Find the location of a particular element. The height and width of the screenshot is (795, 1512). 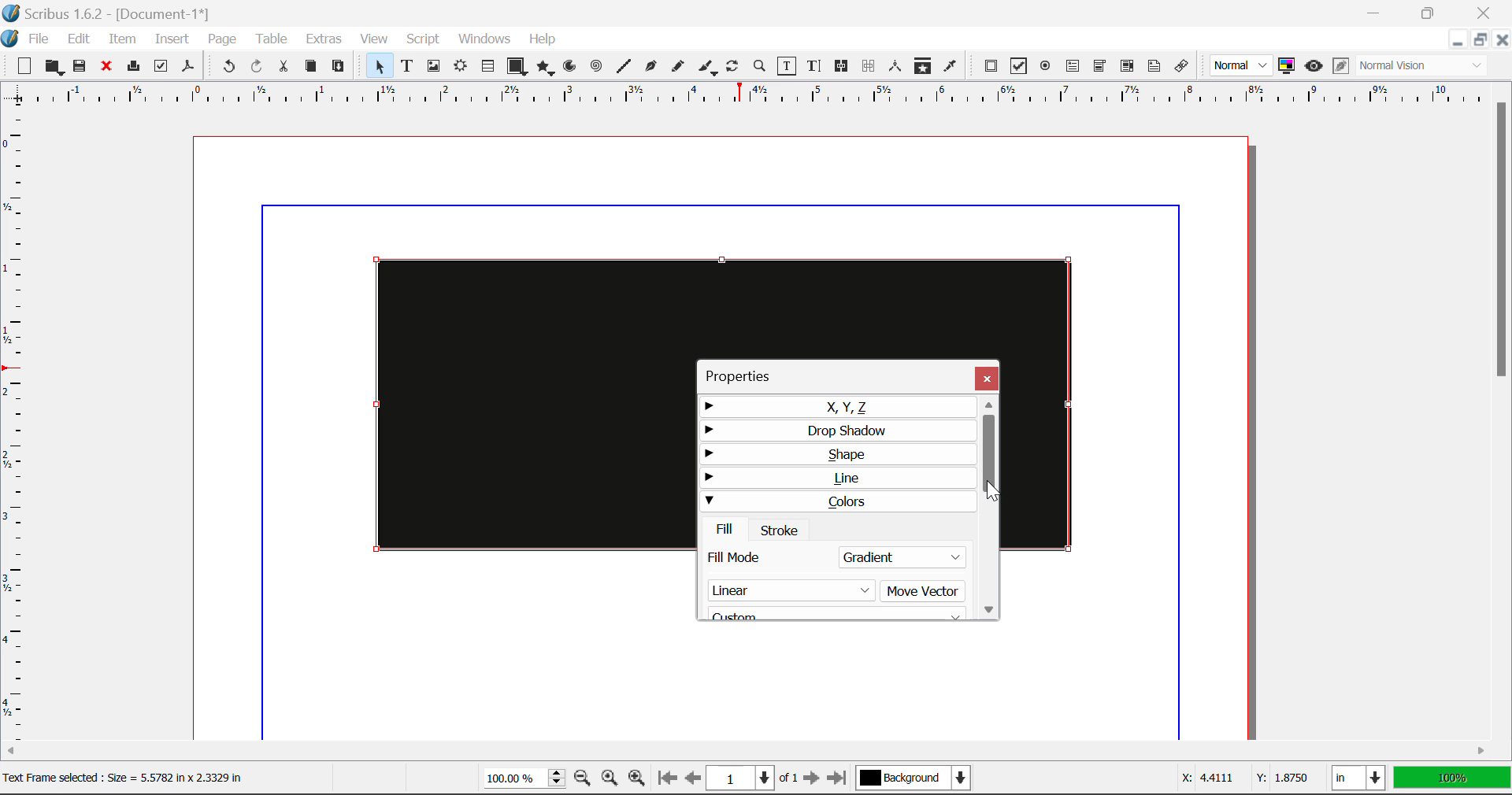

First Page is located at coordinates (665, 779).